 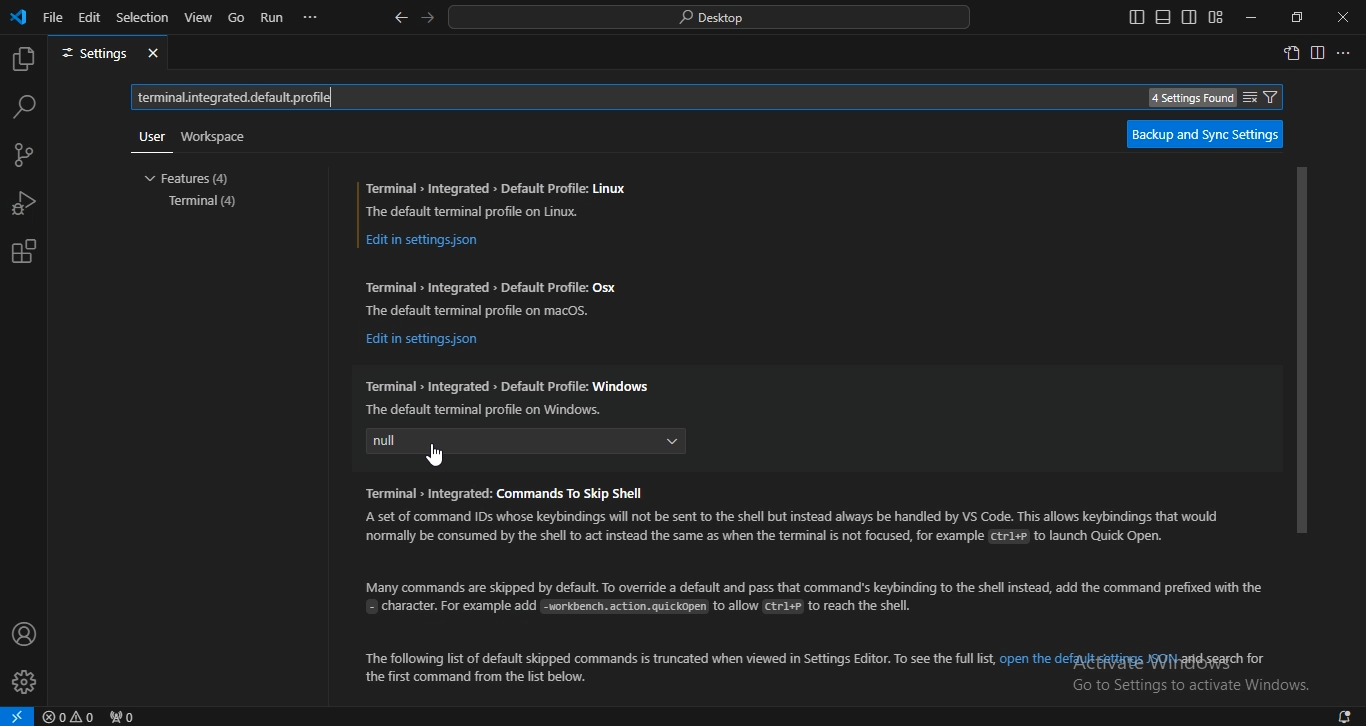 What do you see at coordinates (89, 19) in the screenshot?
I see `edit` at bounding box center [89, 19].